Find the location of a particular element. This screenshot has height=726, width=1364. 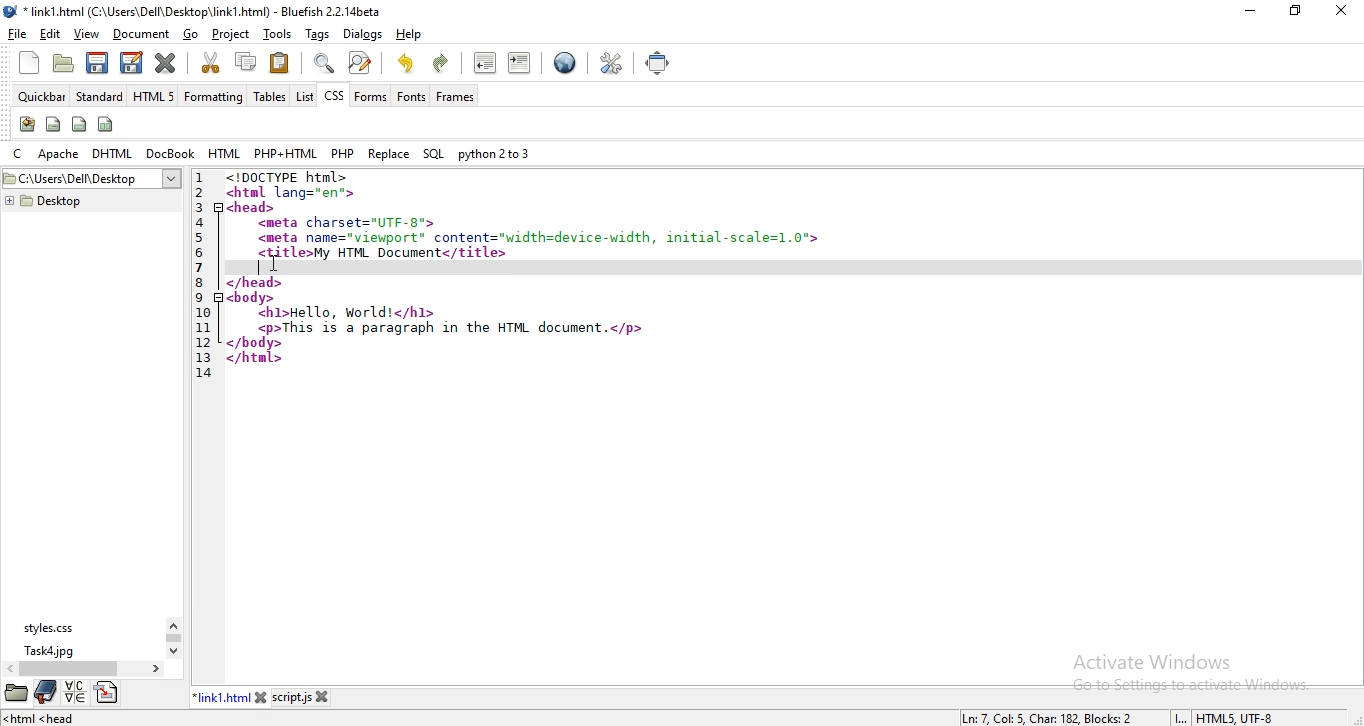

quickbar is located at coordinates (40, 97).